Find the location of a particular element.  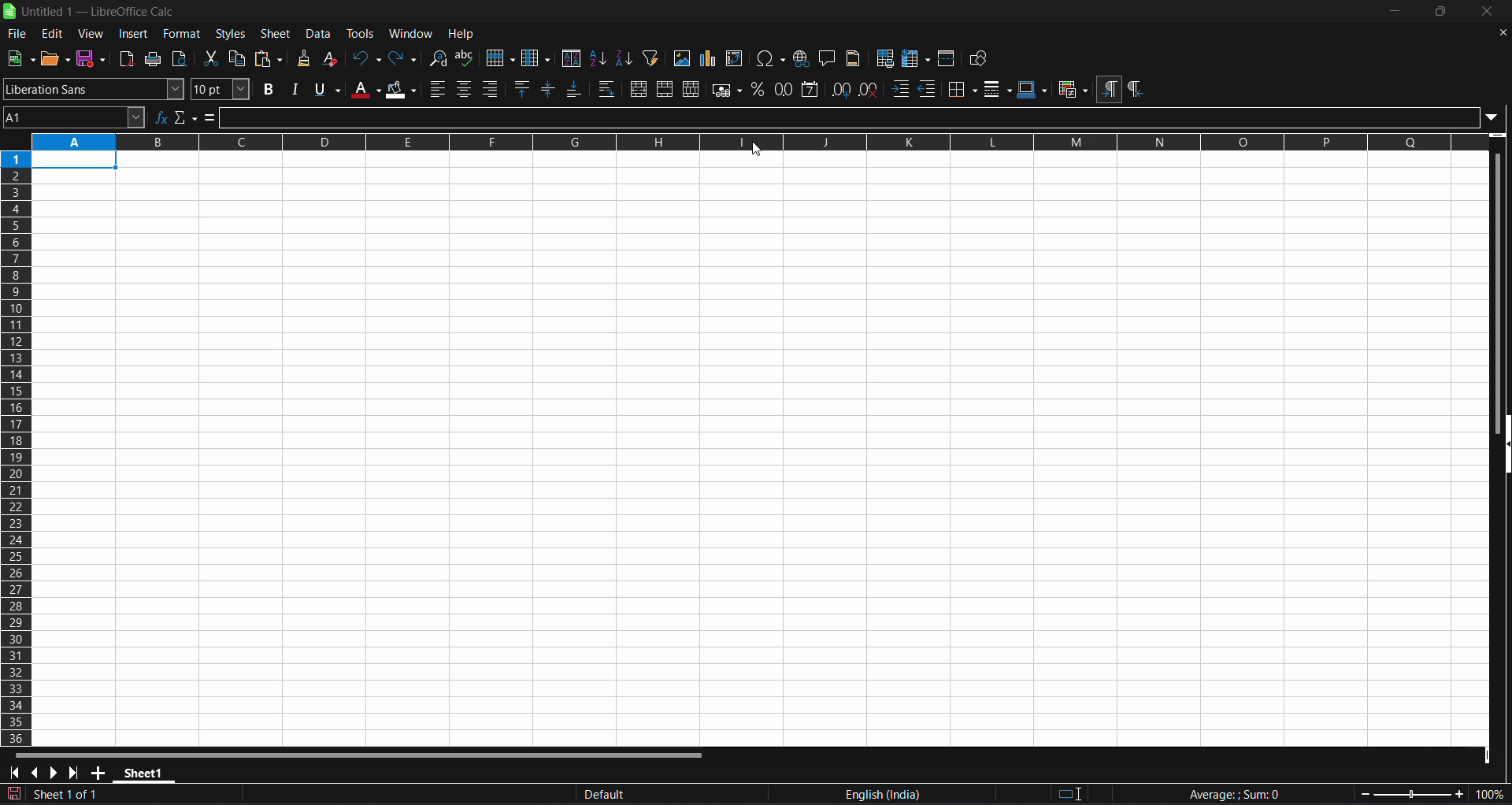

hide is located at coordinates (1503, 451).